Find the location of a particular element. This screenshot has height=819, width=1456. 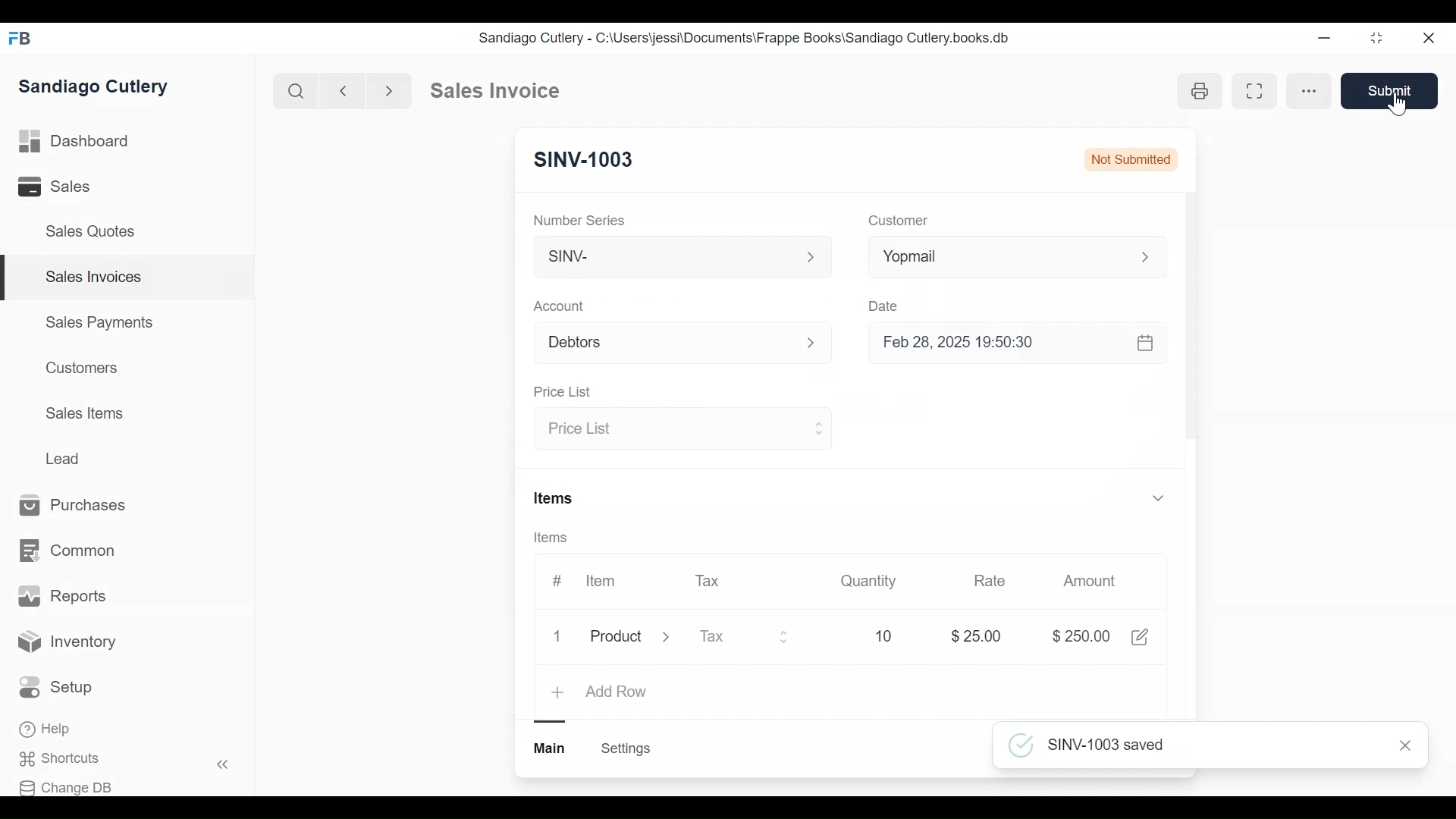

Number Series is located at coordinates (581, 220).